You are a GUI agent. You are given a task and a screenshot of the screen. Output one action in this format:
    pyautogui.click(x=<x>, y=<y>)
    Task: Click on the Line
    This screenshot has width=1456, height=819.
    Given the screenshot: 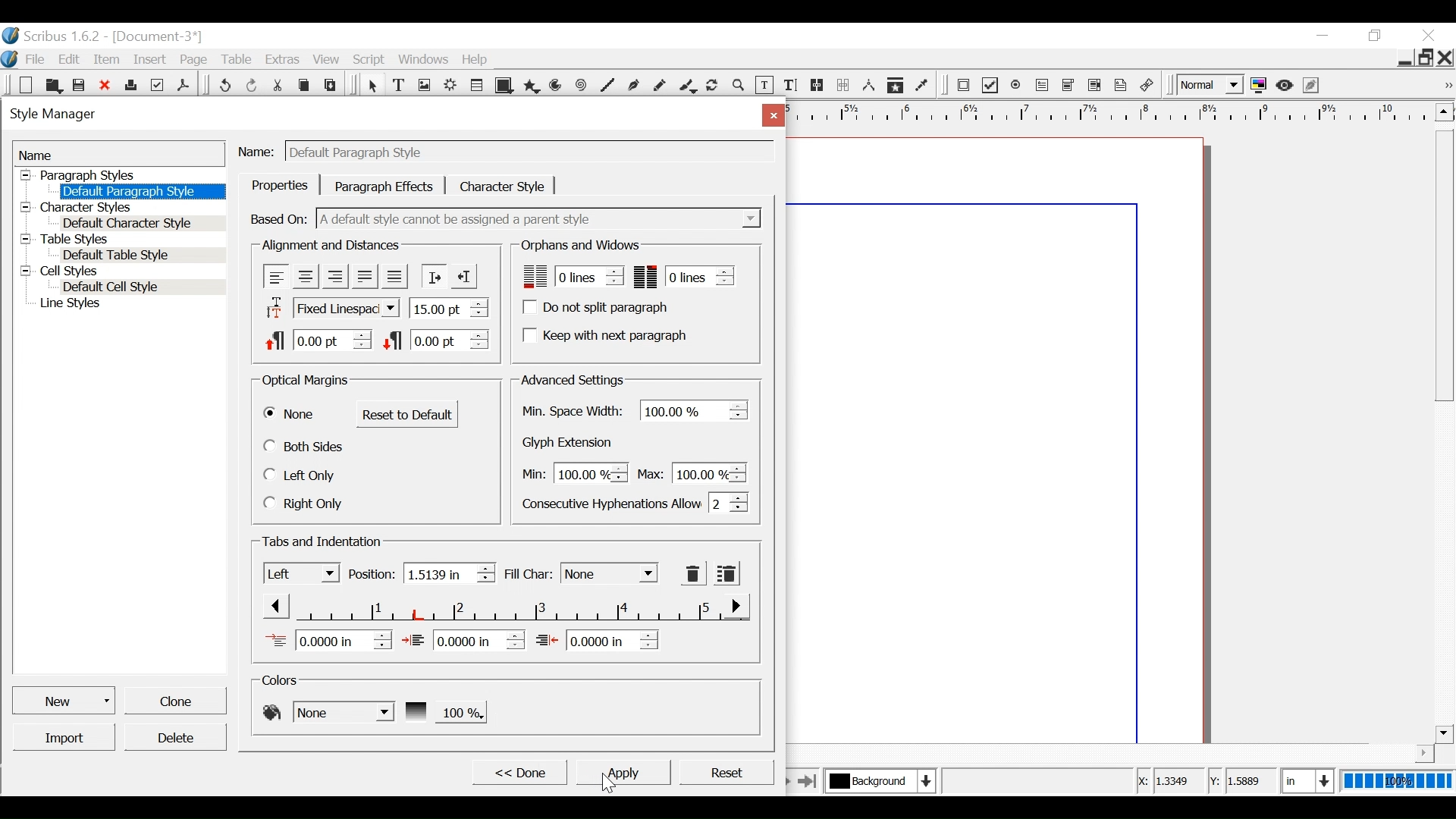 What is the action you would take?
    pyautogui.click(x=606, y=86)
    